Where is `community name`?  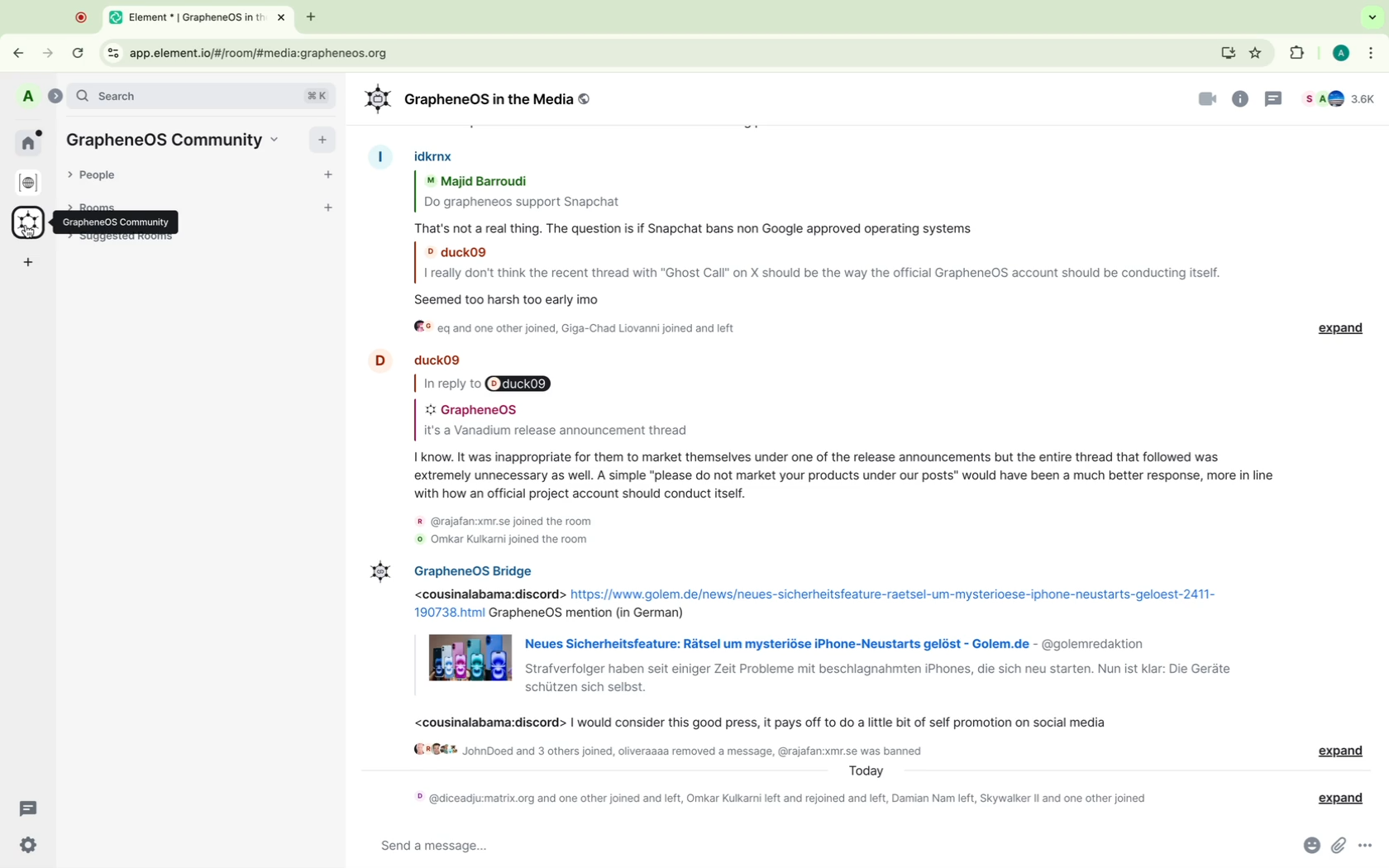
community name is located at coordinates (178, 139).